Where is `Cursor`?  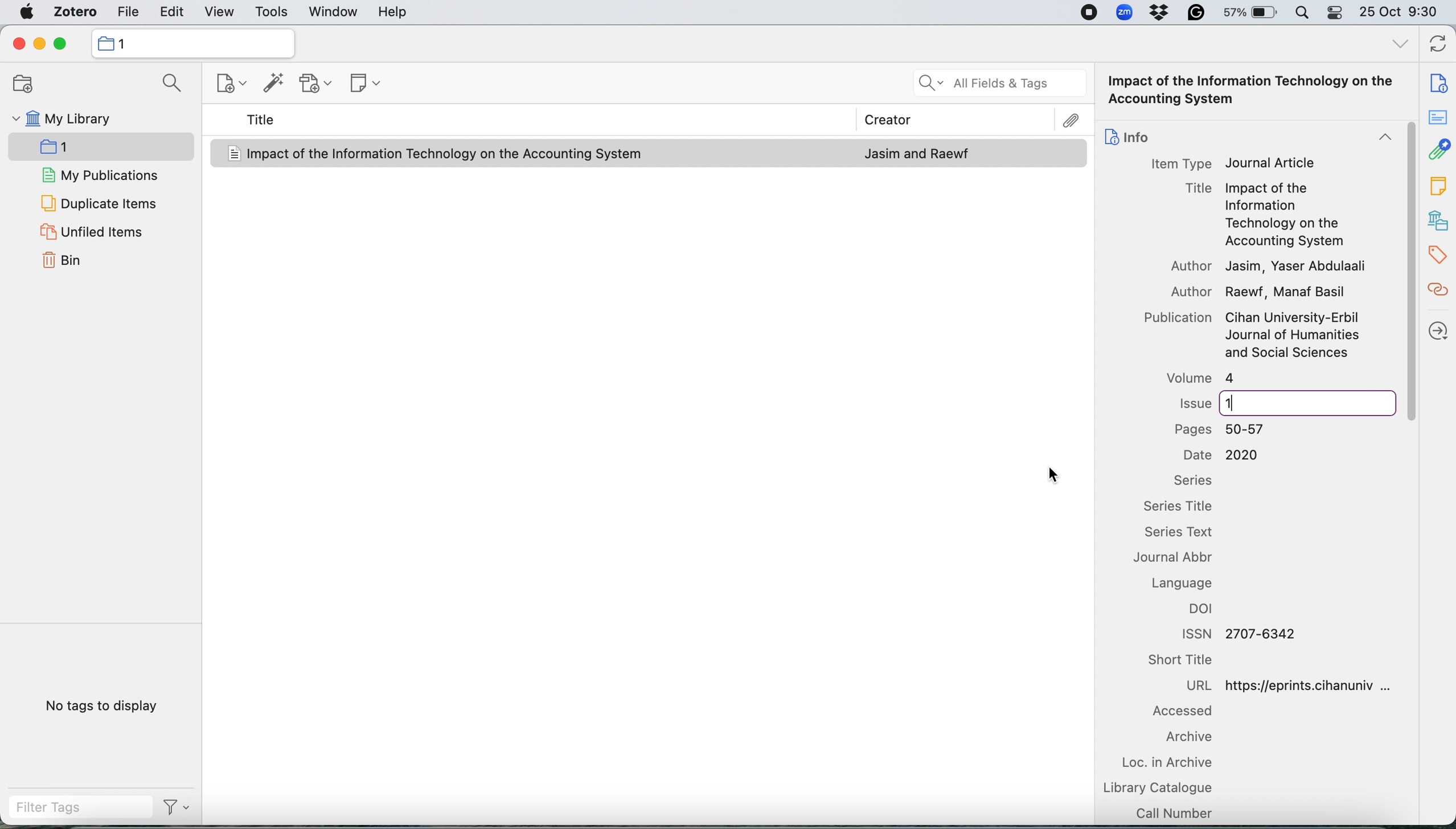 Cursor is located at coordinates (1409, 272).